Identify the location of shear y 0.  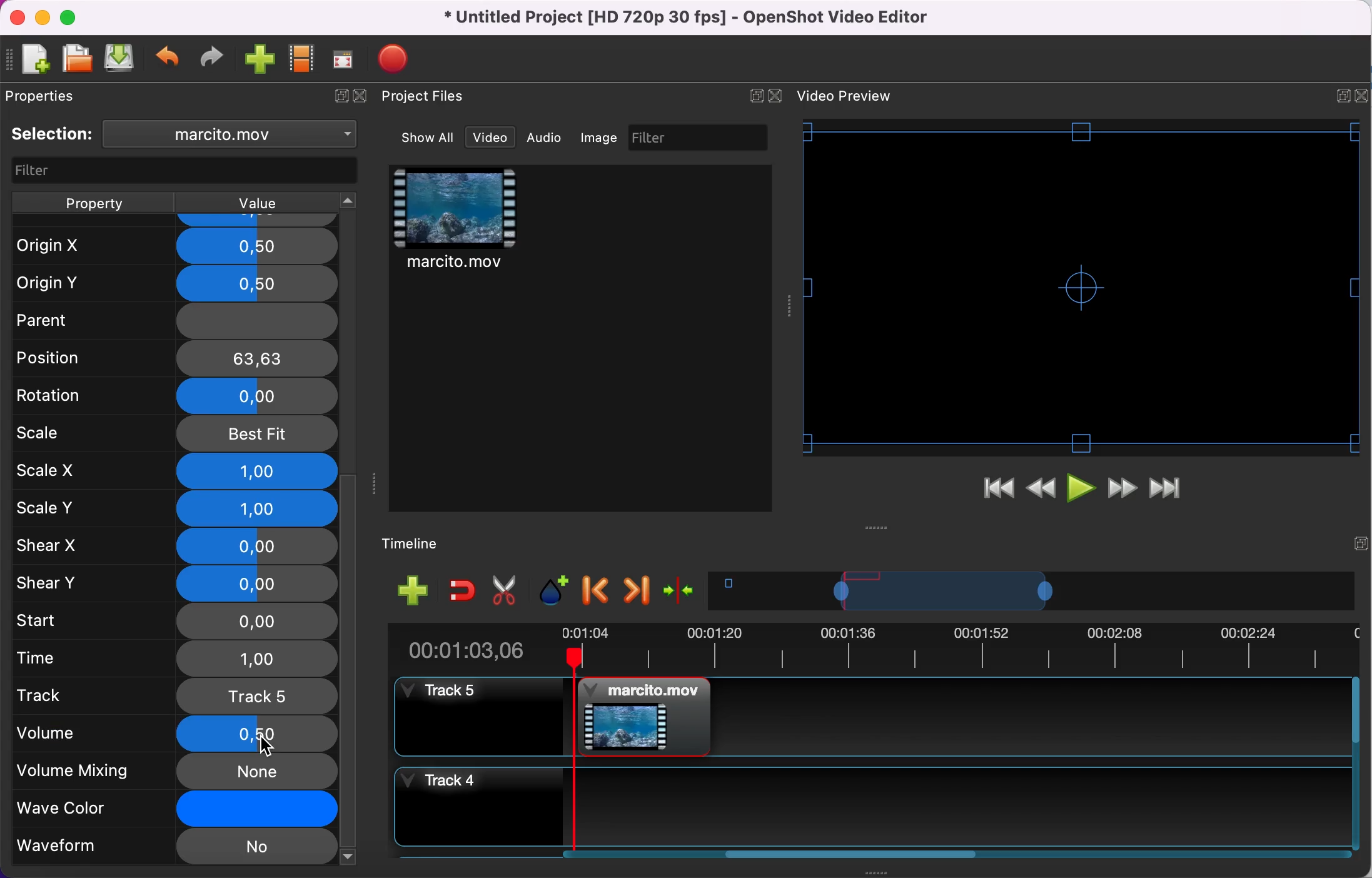
(176, 583).